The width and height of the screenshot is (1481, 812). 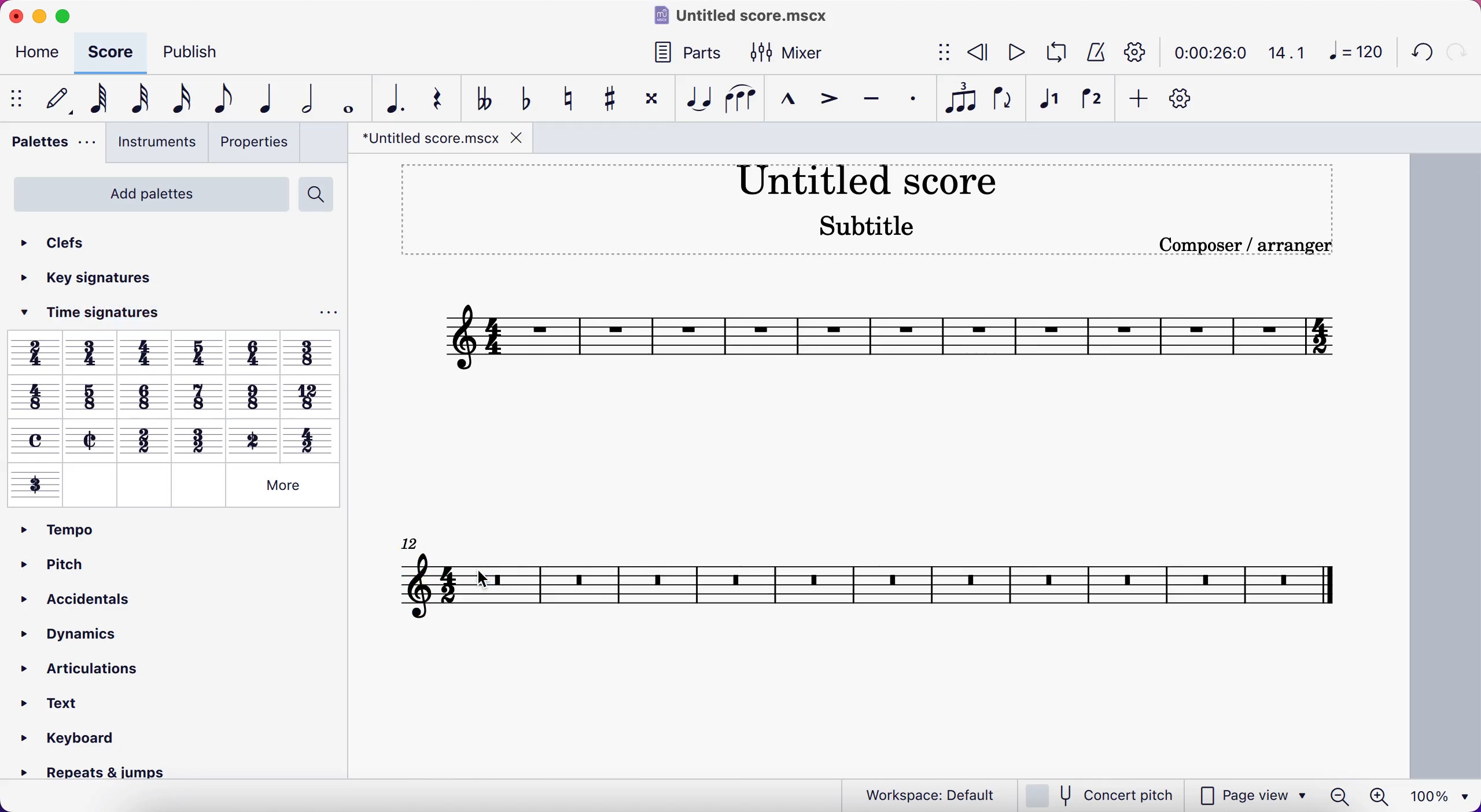 I want to click on loop playback, so click(x=1052, y=53).